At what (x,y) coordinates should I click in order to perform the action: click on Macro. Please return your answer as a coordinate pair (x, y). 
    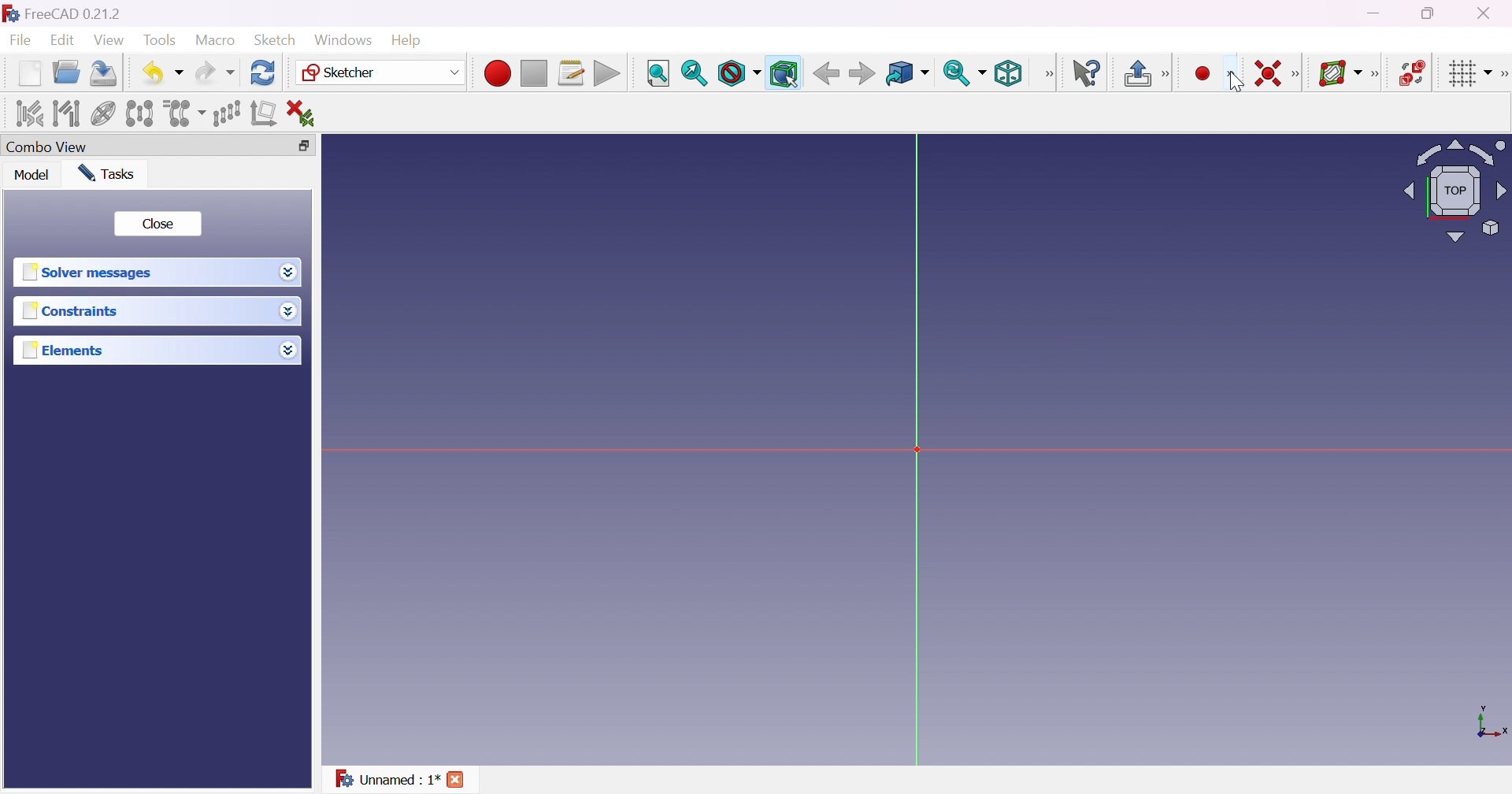
    Looking at the image, I should click on (216, 40).